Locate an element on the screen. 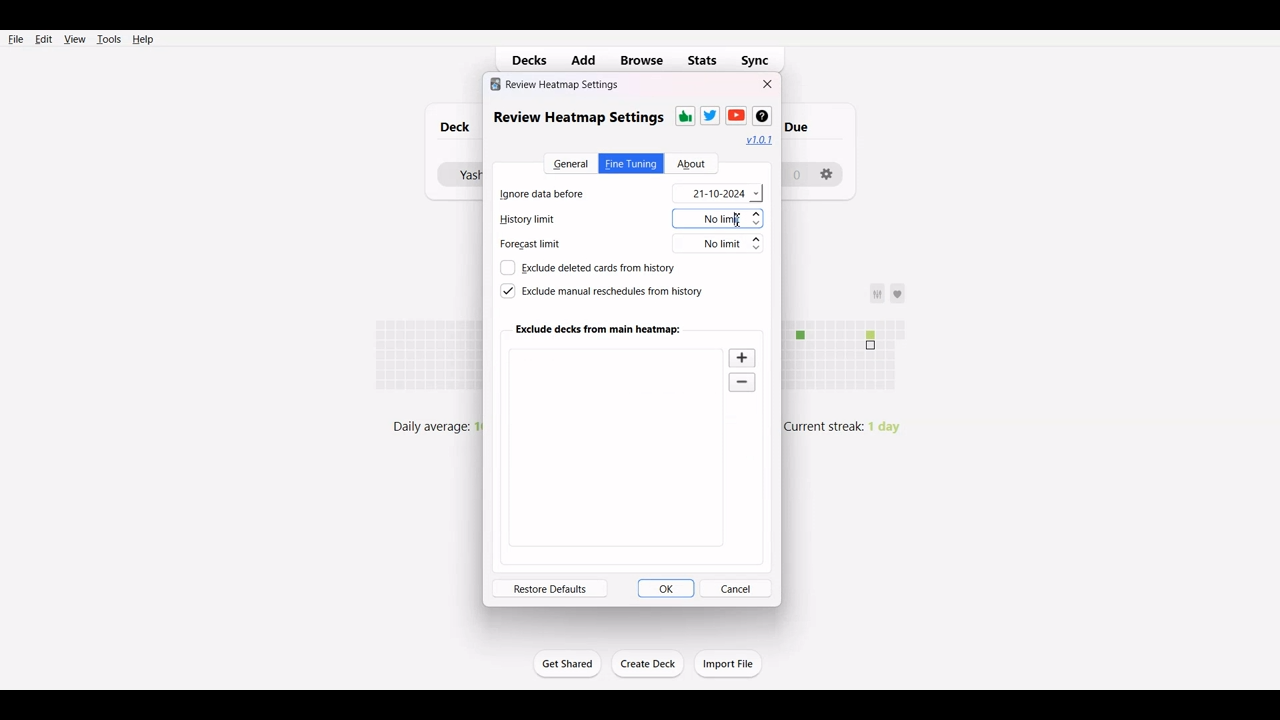  Browse is located at coordinates (641, 61).